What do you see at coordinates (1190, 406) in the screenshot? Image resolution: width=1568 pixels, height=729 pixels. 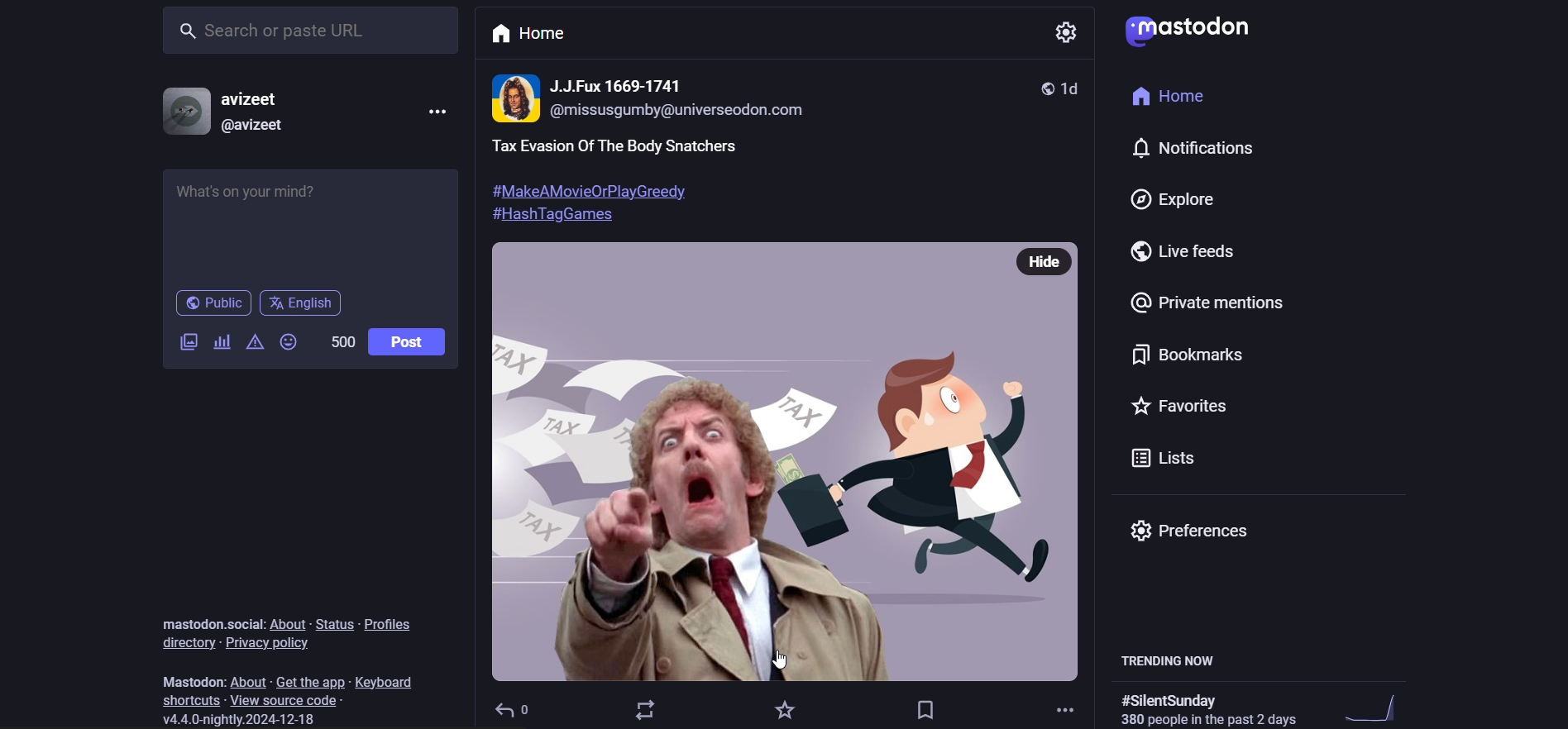 I see `favorite` at bounding box center [1190, 406].